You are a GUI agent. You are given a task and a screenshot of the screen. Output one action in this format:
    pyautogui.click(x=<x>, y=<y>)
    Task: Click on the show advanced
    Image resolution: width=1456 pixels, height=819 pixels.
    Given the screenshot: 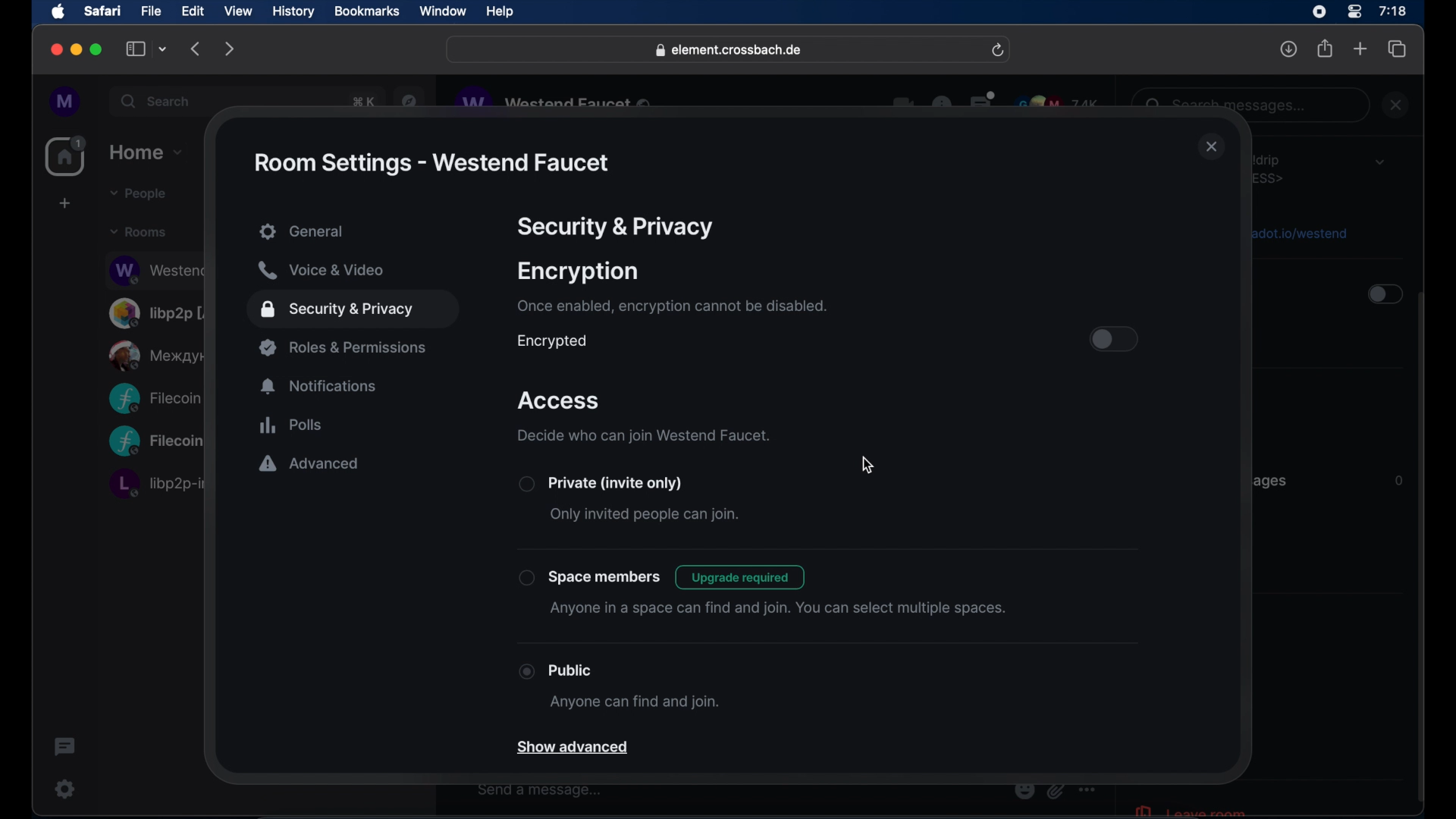 What is the action you would take?
    pyautogui.click(x=575, y=749)
    